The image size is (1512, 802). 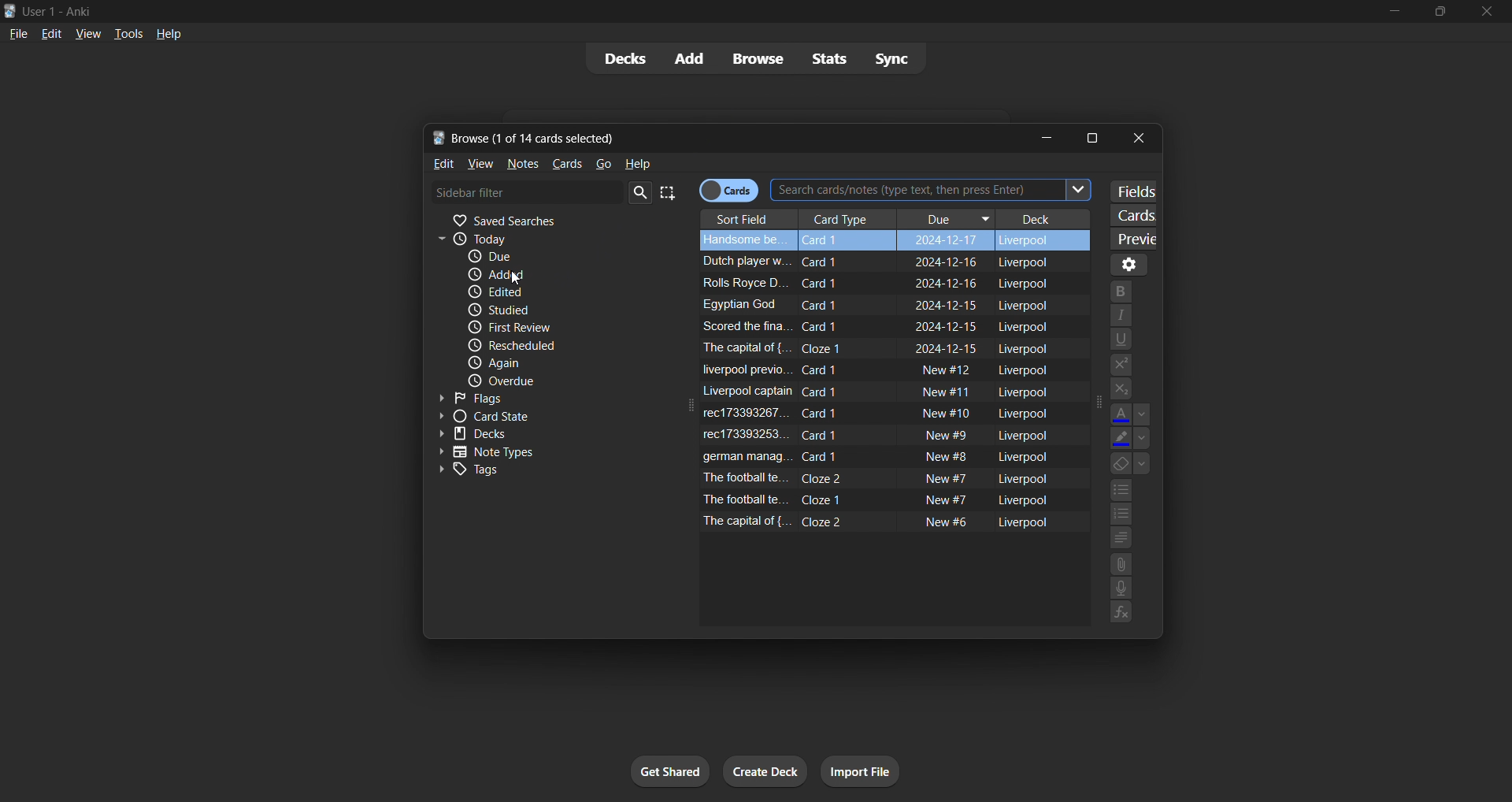 What do you see at coordinates (615, 58) in the screenshot?
I see `decks` at bounding box center [615, 58].